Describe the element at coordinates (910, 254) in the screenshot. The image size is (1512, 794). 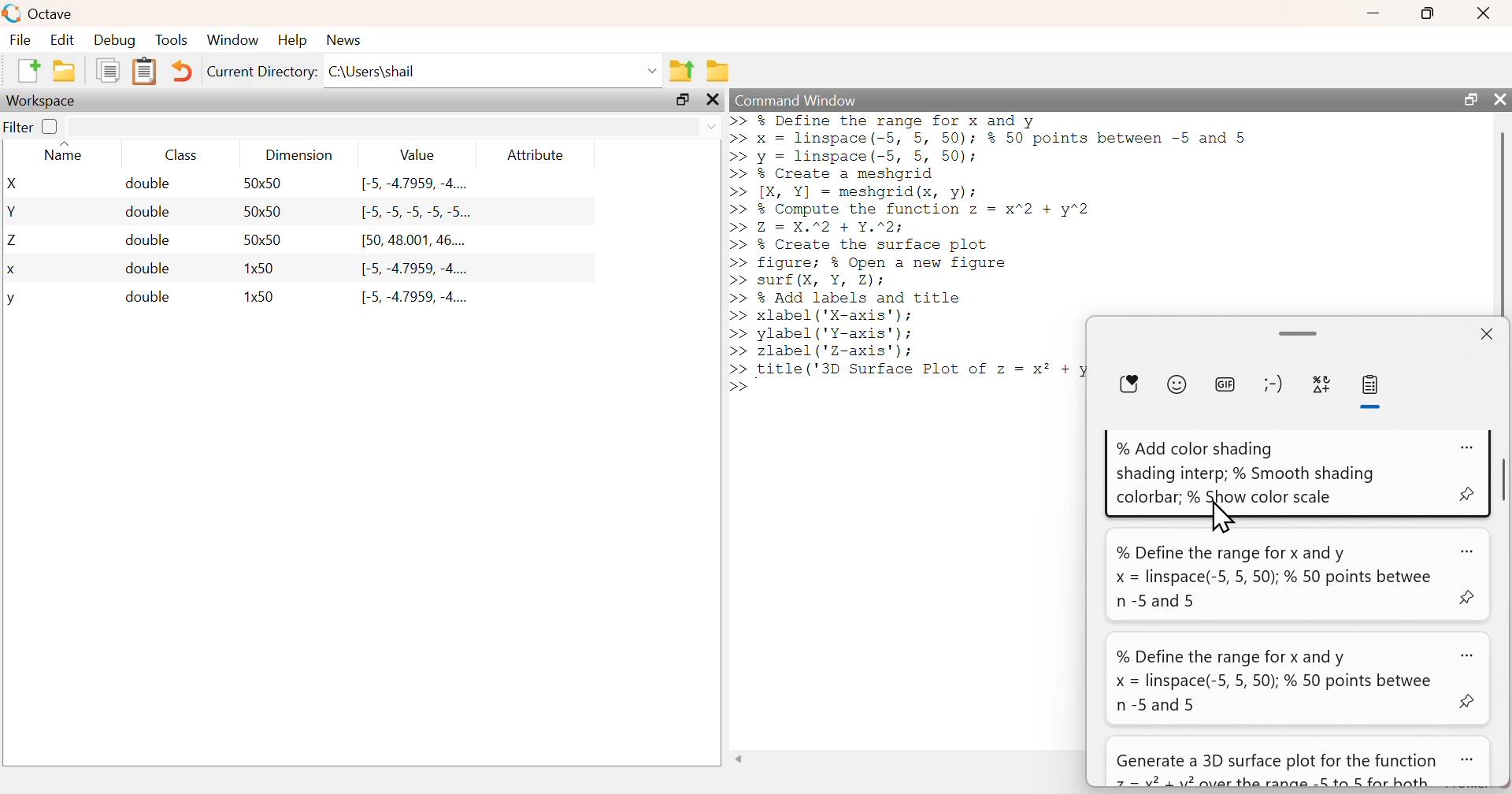
I see `>> % Define the range for x and y>> x = linspace(-5, 5, 50); % 50 points between -5 and 5>> y = linspace(-5, 5, 50):>> % Create a meshgrid>> [X, Y] = meshgrid(x, y):>> % Compute the function z = x"2 + y"2>> Z = X."2 + Y.2;>> % Create the surface plot>> figure; % Open a new figure>> surf (X, Y, Z):>> % Add labels and title>> xlabel ('X-axis');>> ylabel ('Y-axis');>> zlabel('Z-axis'):>> title('3D Surface Plot of z = x? + v2)` at that location.